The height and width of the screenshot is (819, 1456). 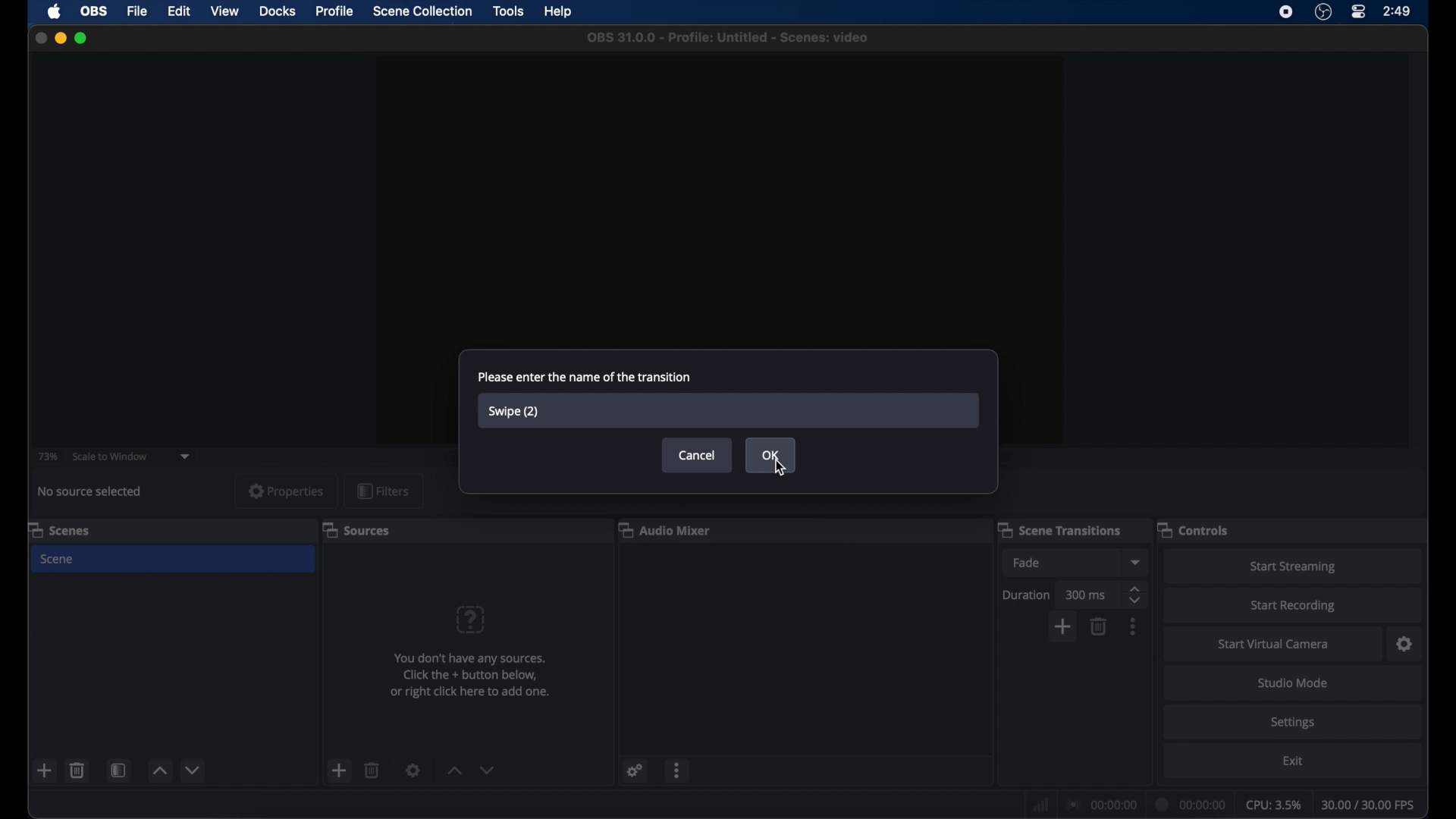 What do you see at coordinates (1398, 11) in the screenshot?
I see `time` at bounding box center [1398, 11].